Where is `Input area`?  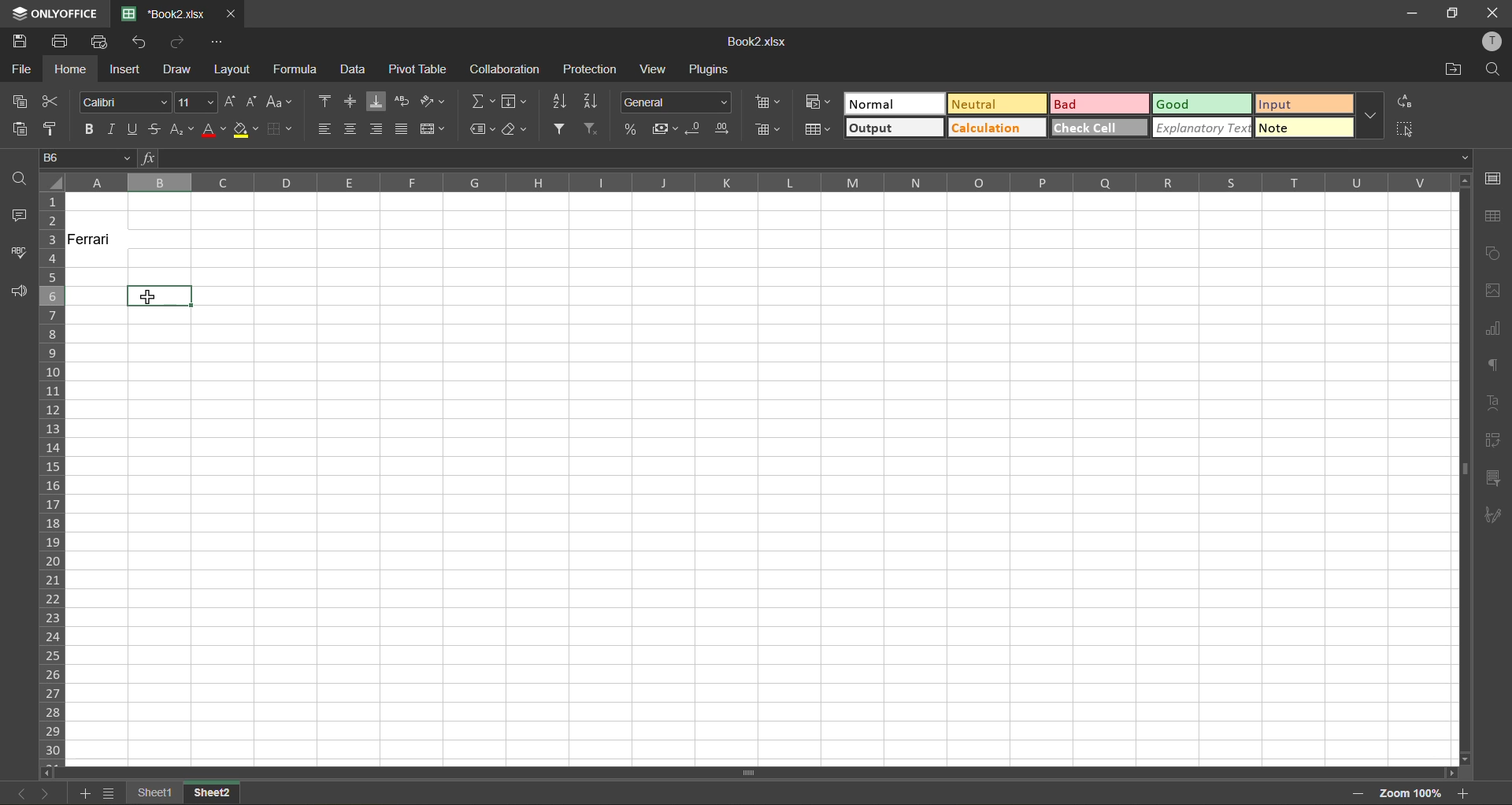
Input area is located at coordinates (765, 536).